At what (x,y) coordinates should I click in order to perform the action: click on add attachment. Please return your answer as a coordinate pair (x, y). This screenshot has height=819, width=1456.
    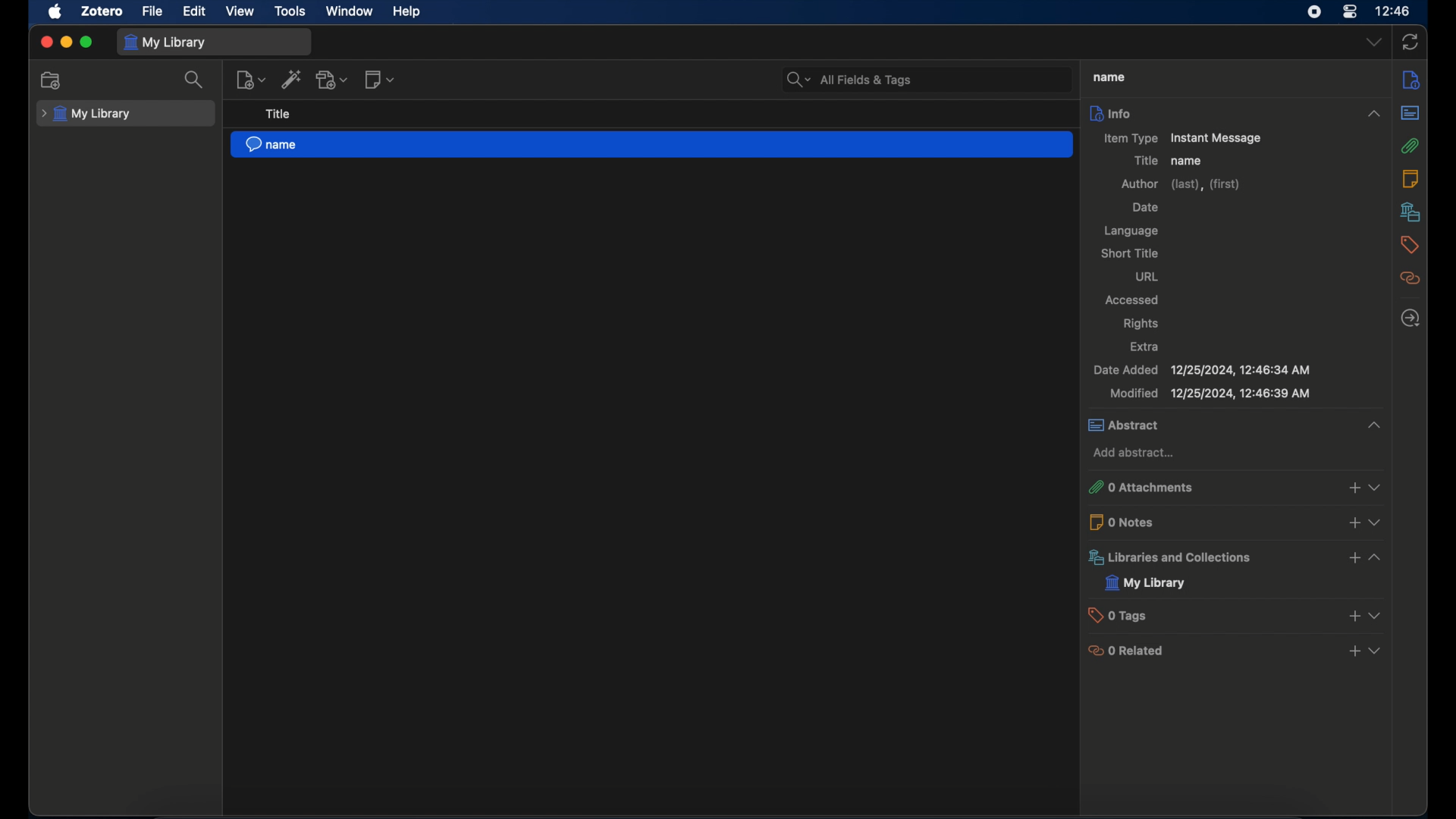
    Looking at the image, I should click on (334, 80).